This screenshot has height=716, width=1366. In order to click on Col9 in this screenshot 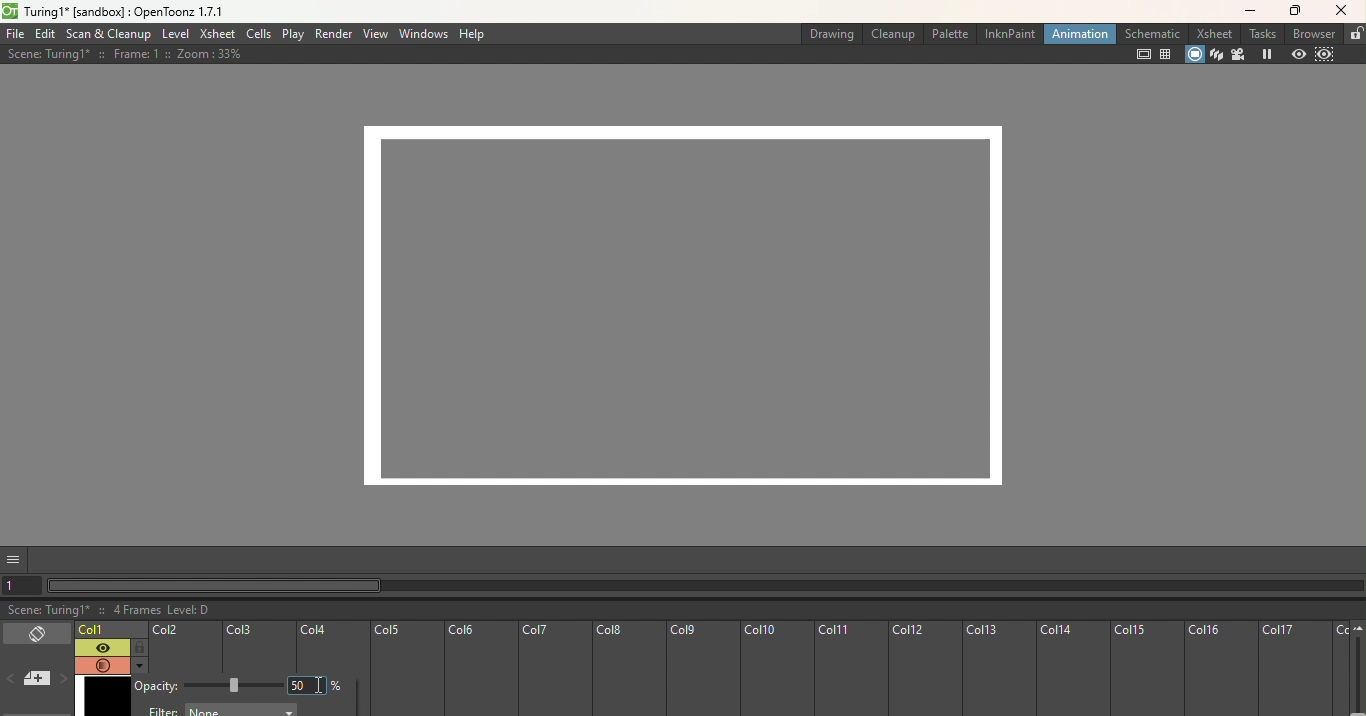, I will do `click(700, 669)`.